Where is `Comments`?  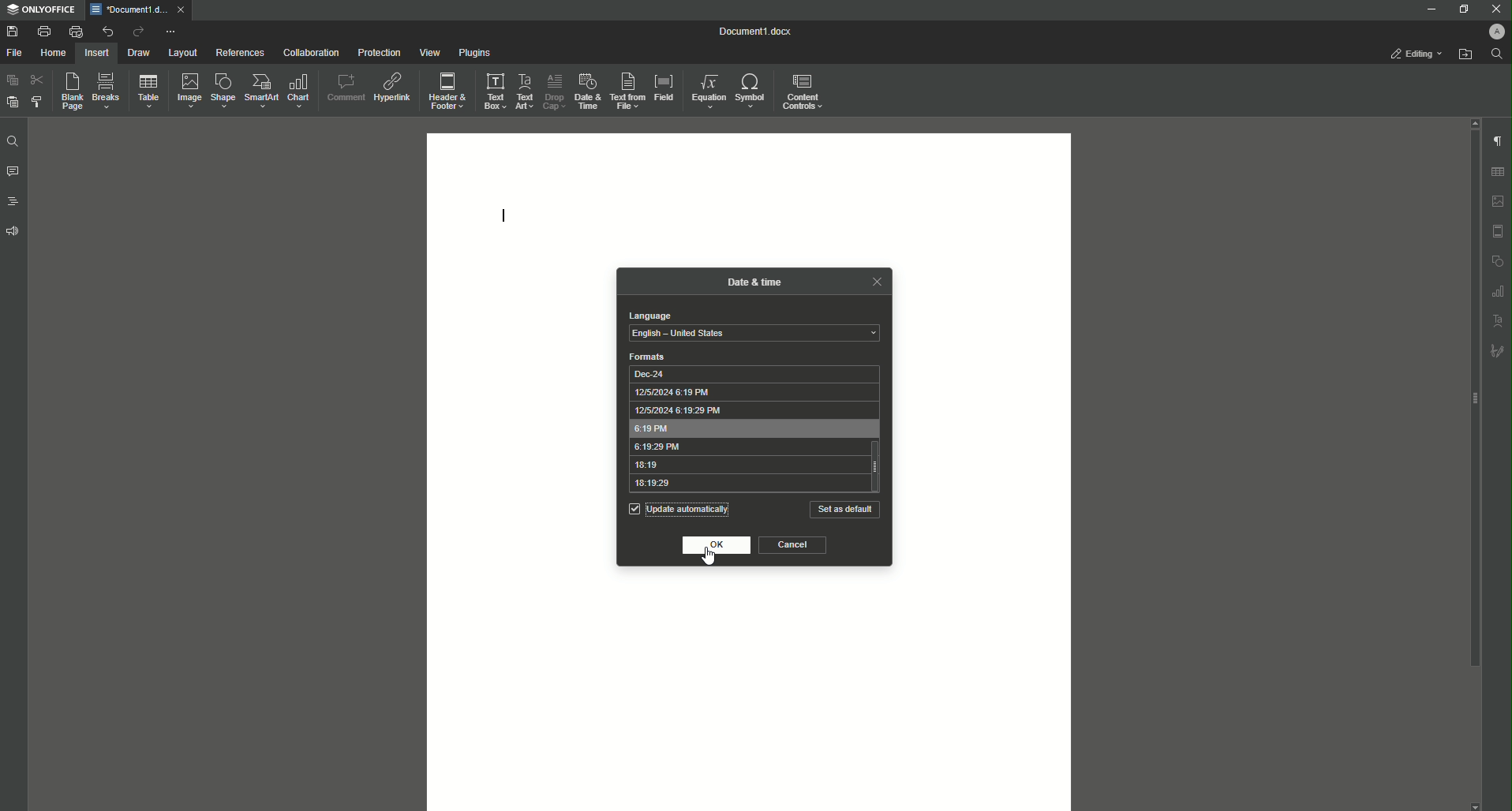 Comments is located at coordinates (13, 172).